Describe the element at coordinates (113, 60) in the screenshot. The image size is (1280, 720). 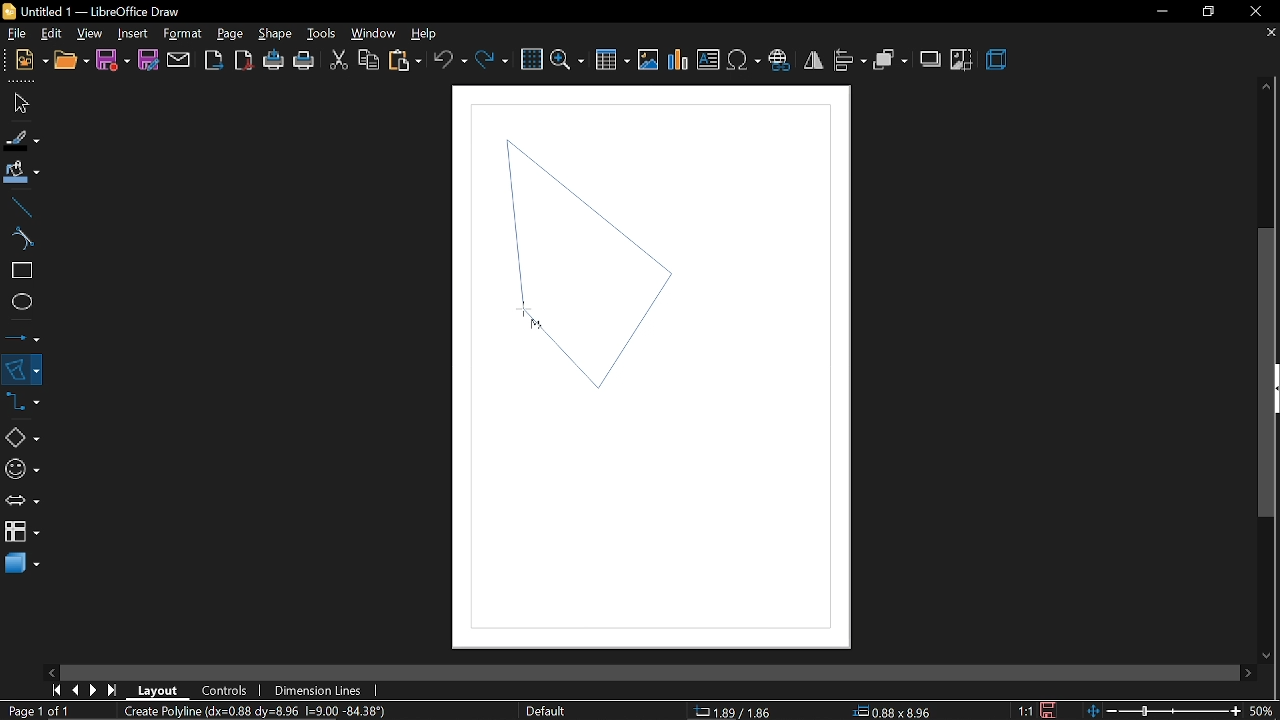
I see `save` at that location.